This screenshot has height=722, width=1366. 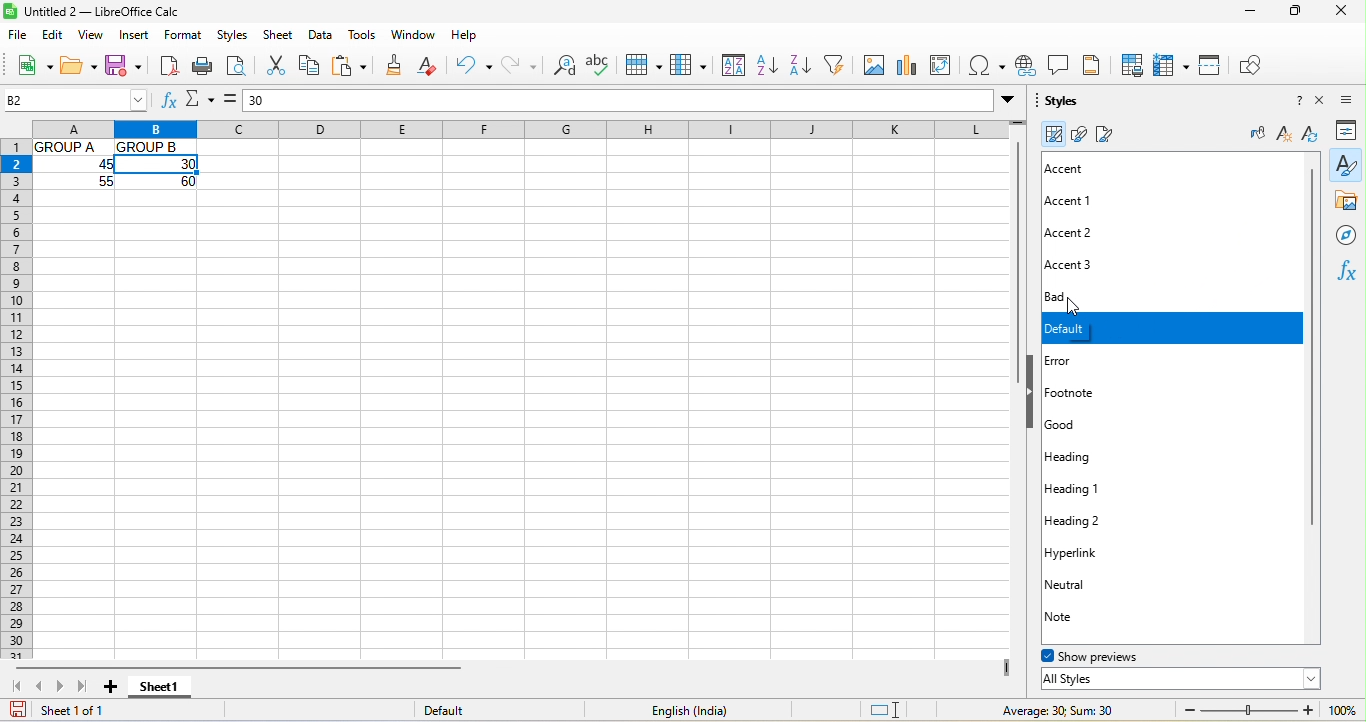 What do you see at coordinates (469, 709) in the screenshot?
I see `default` at bounding box center [469, 709].